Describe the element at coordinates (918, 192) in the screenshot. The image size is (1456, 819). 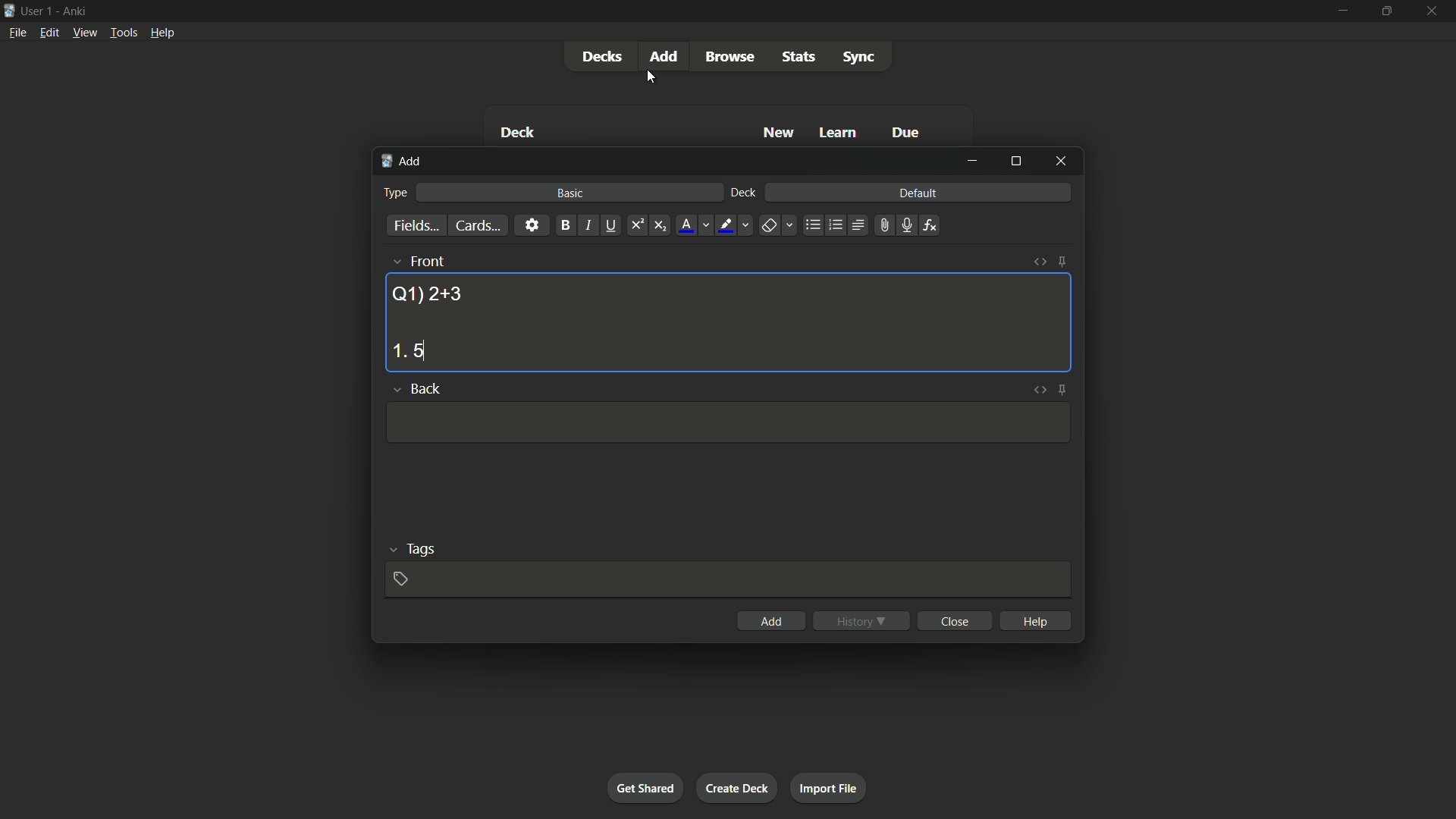
I see `default` at that location.